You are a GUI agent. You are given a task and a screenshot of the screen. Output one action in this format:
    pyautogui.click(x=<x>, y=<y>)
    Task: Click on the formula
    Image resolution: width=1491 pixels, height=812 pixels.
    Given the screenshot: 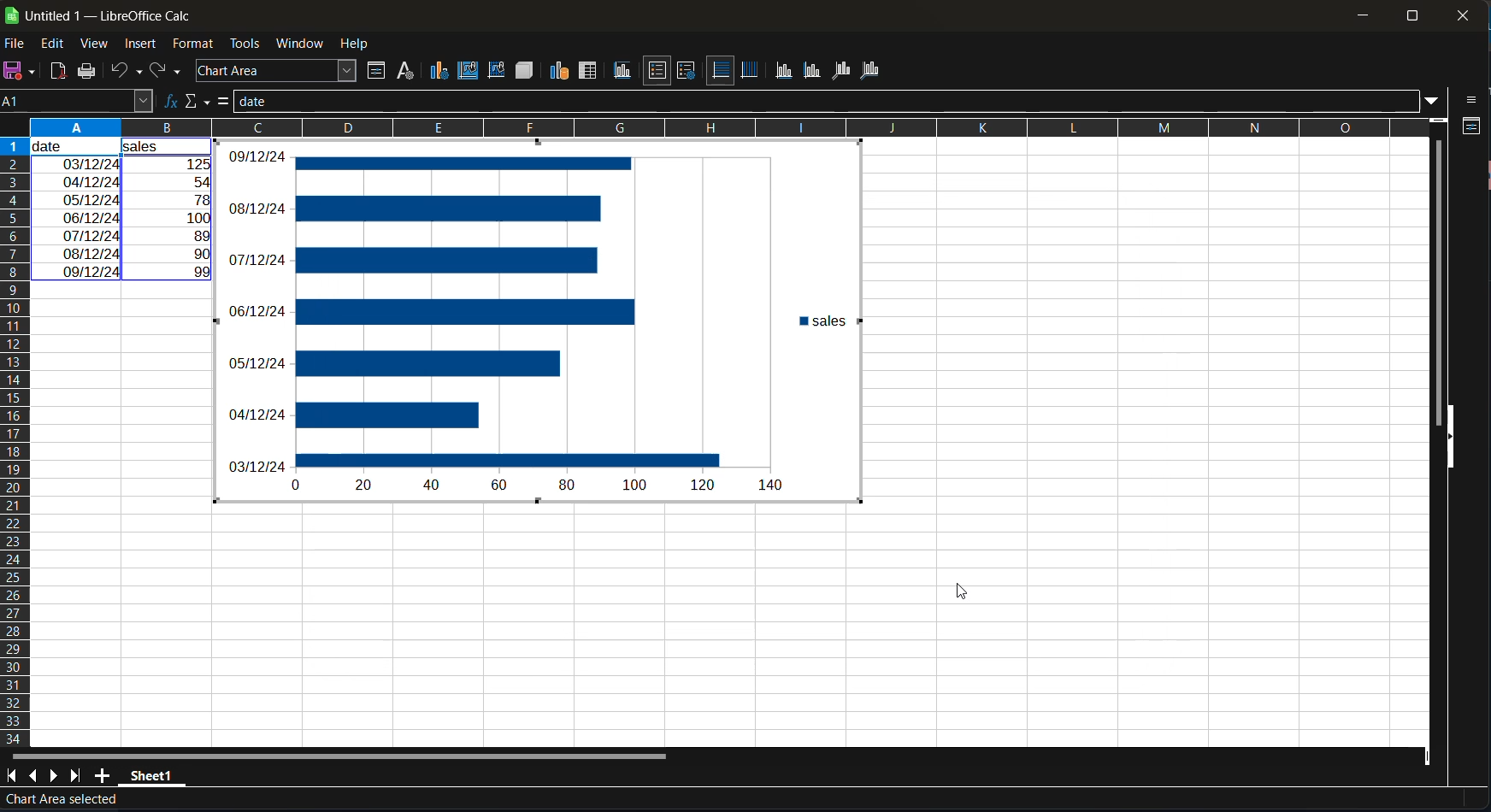 What is the action you would take?
    pyautogui.click(x=222, y=102)
    